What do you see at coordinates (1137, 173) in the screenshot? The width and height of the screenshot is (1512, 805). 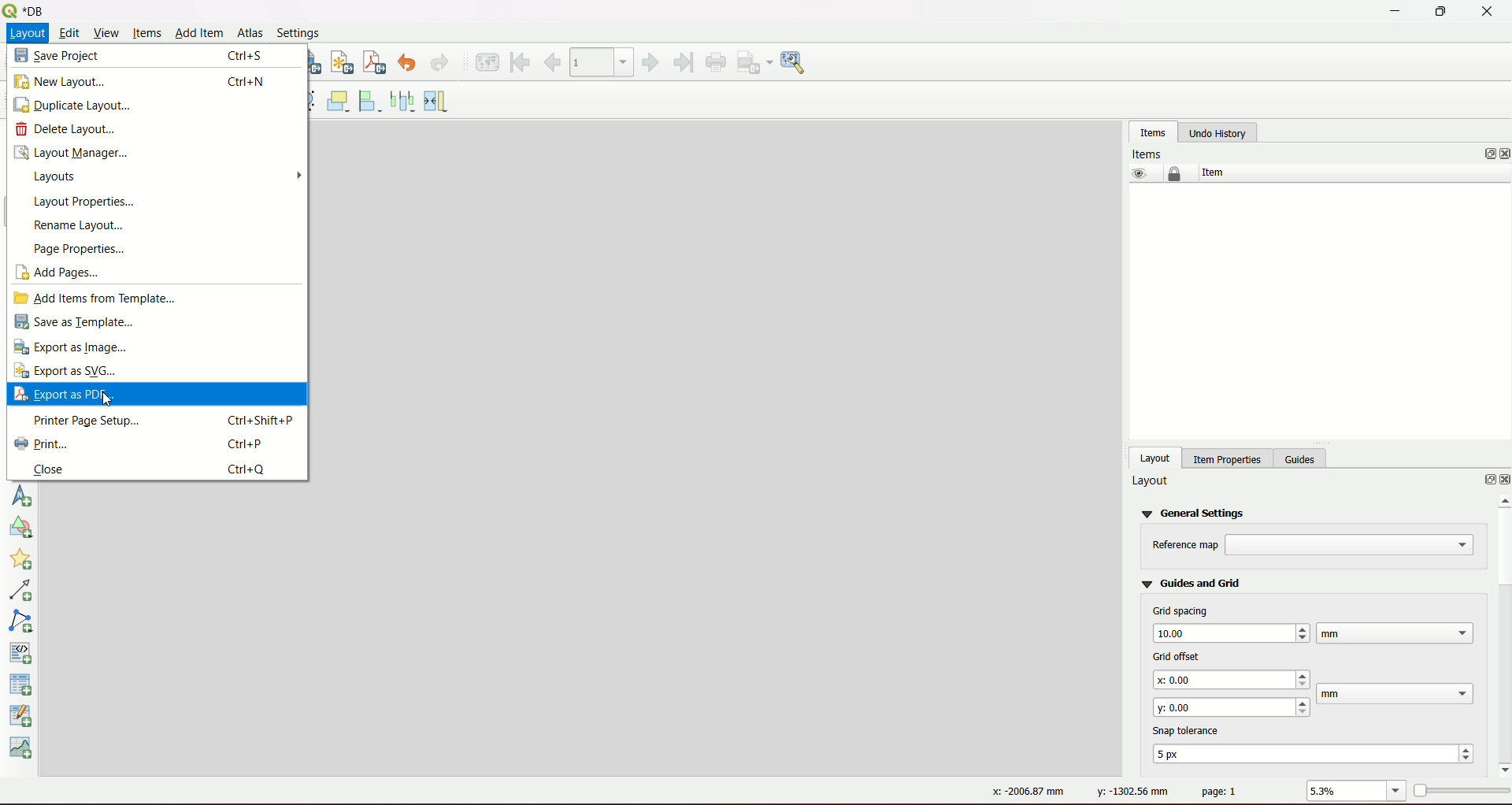 I see `eye` at bounding box center [1137, 173].